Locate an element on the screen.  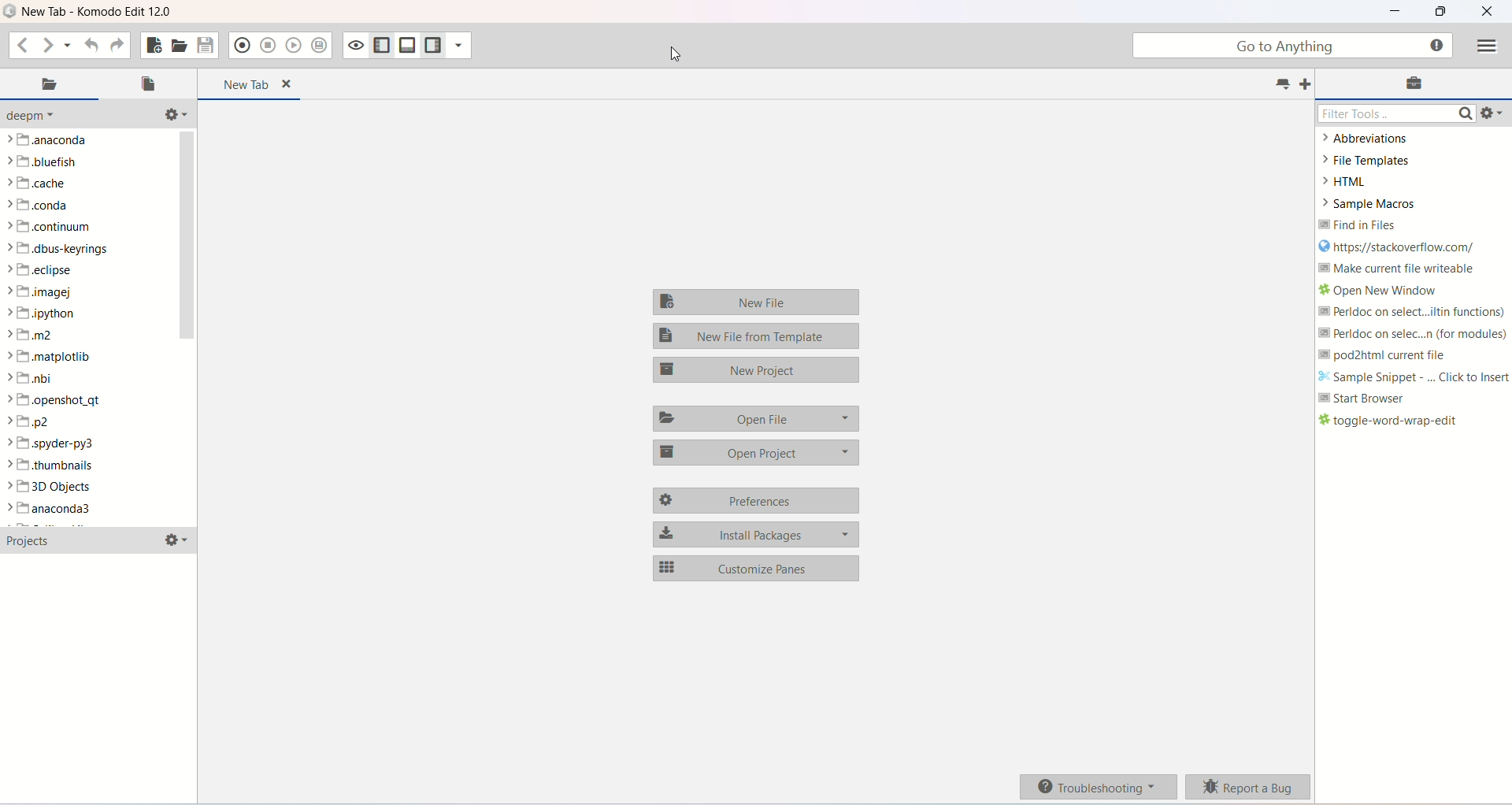
conda is located at coordinates (37, 205).